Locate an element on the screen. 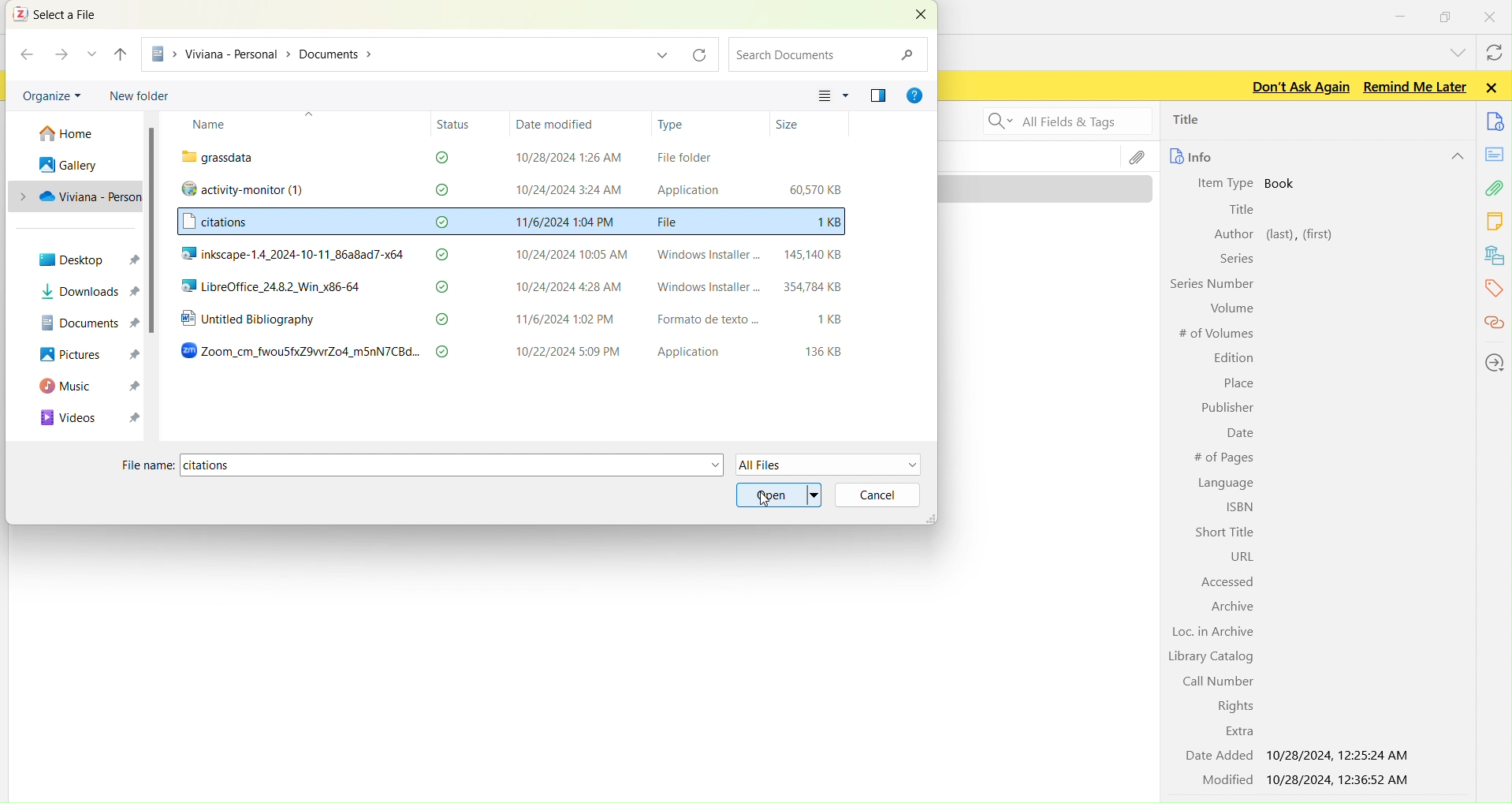 The width and height of the screenshot is (1512, 803). left, first is located at coordinates (1301, 233).